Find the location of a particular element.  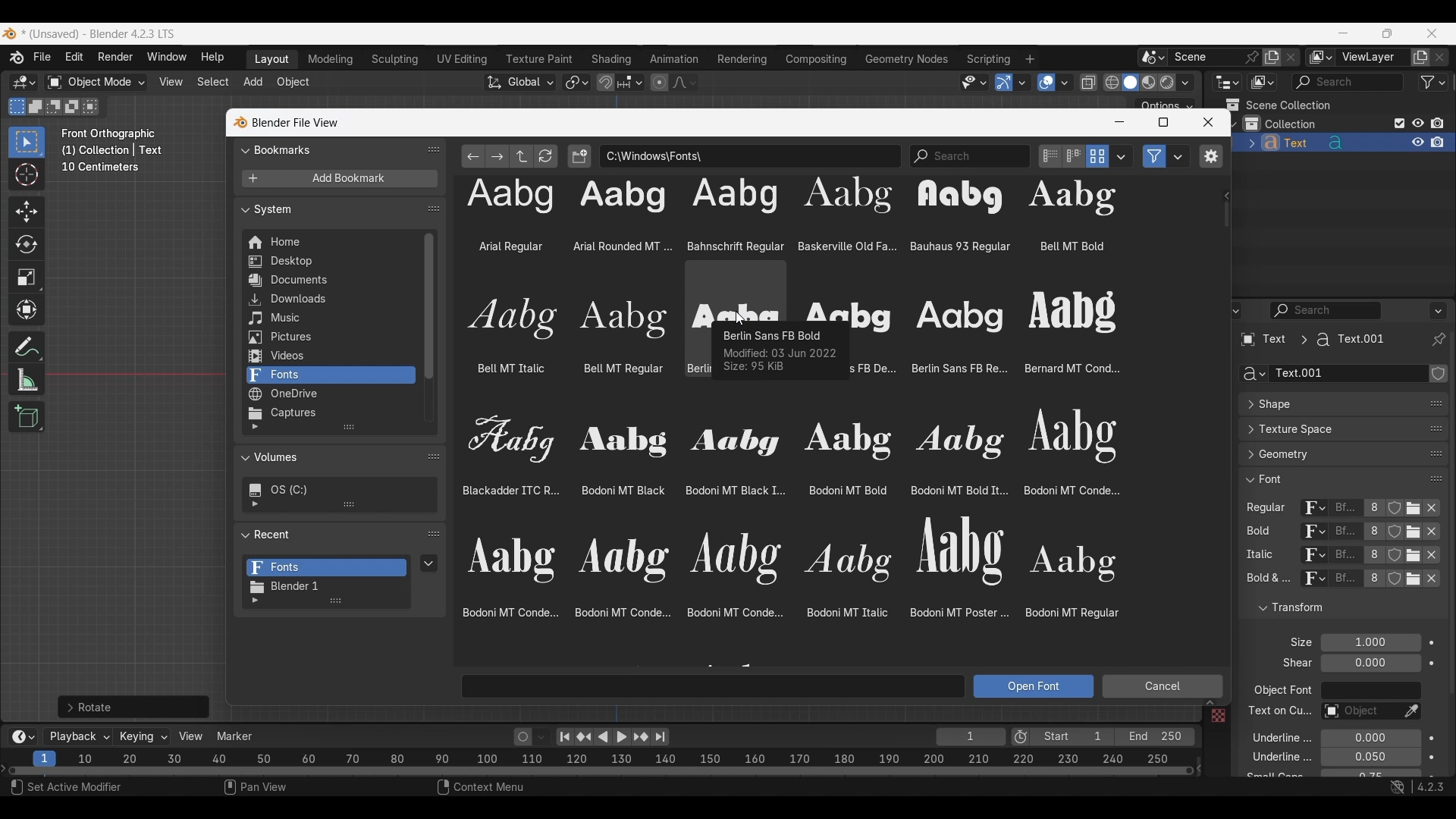

Add workspace is located at coordinates (1029, 59).